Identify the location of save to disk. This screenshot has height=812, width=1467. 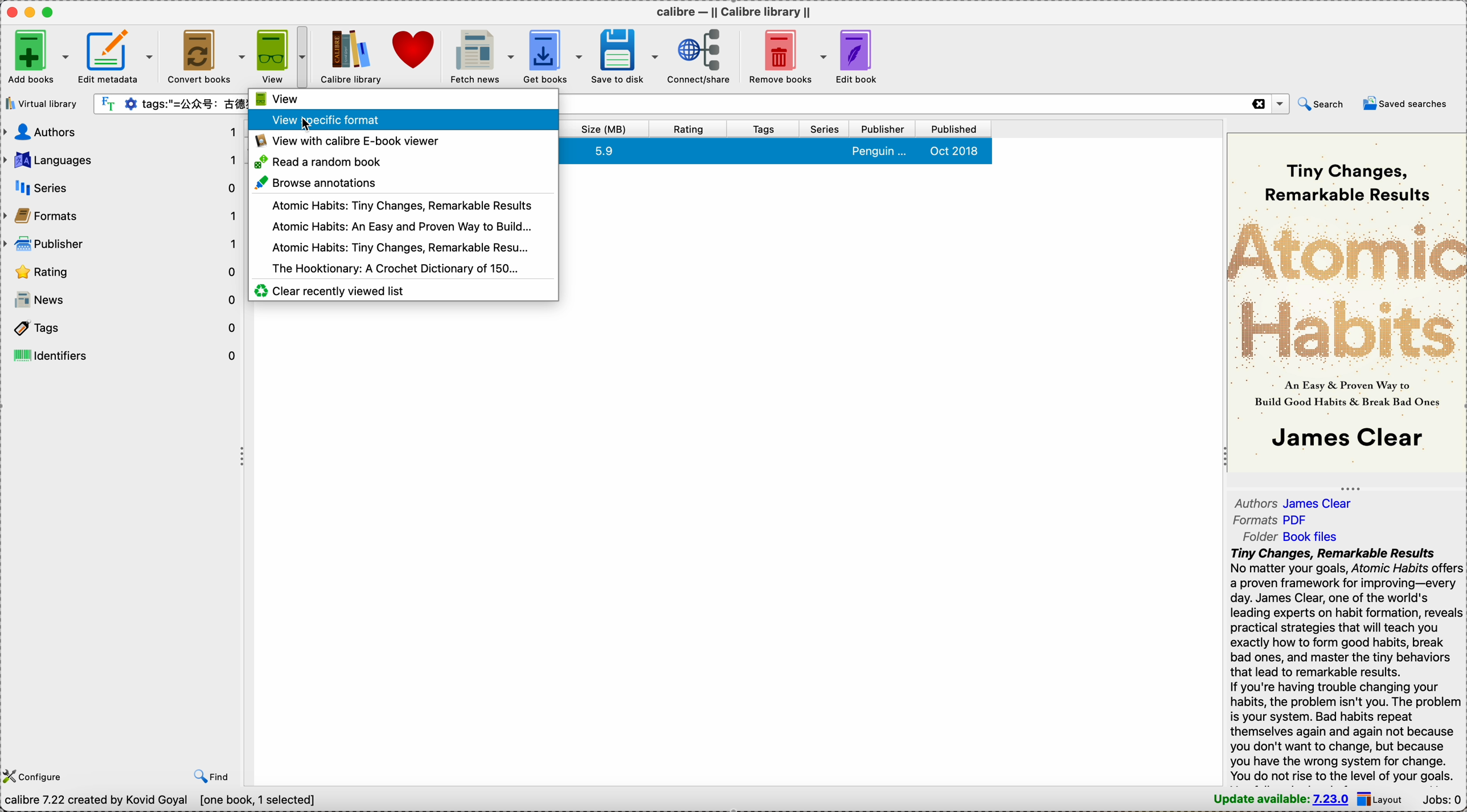
(625, 55).